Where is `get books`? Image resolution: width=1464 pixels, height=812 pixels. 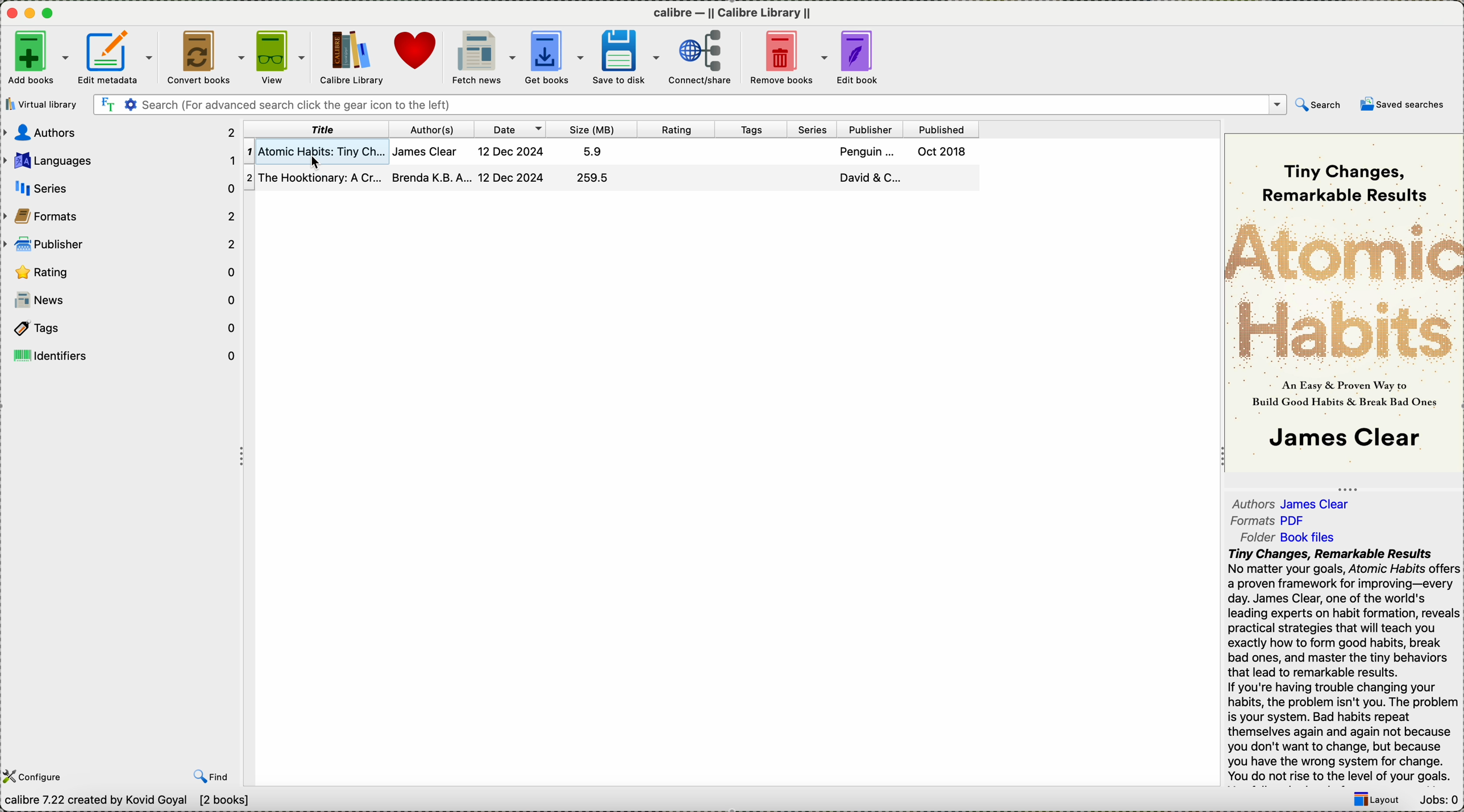
get books is located at coordinates (552, 57).